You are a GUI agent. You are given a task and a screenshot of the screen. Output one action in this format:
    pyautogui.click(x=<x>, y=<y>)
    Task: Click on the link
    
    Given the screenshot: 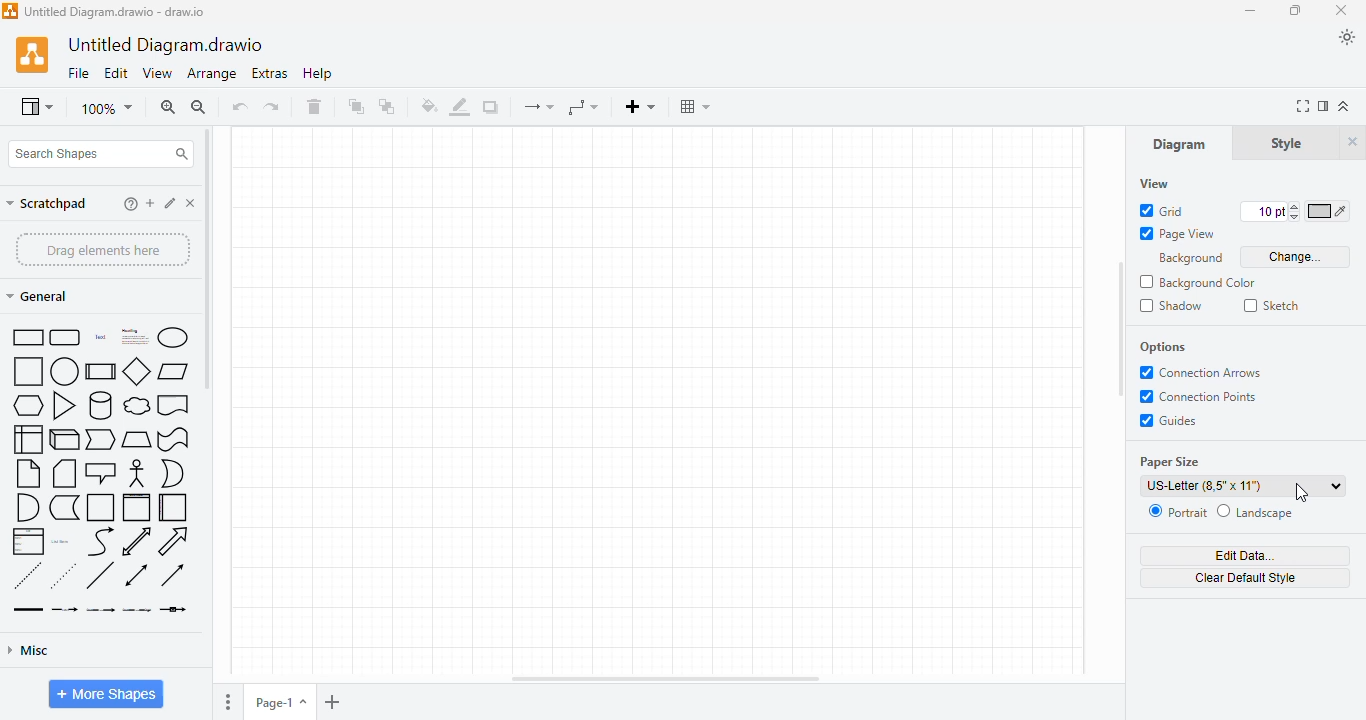 What is the action you would take?
    pyautogui.click(x=28, y=609)
    